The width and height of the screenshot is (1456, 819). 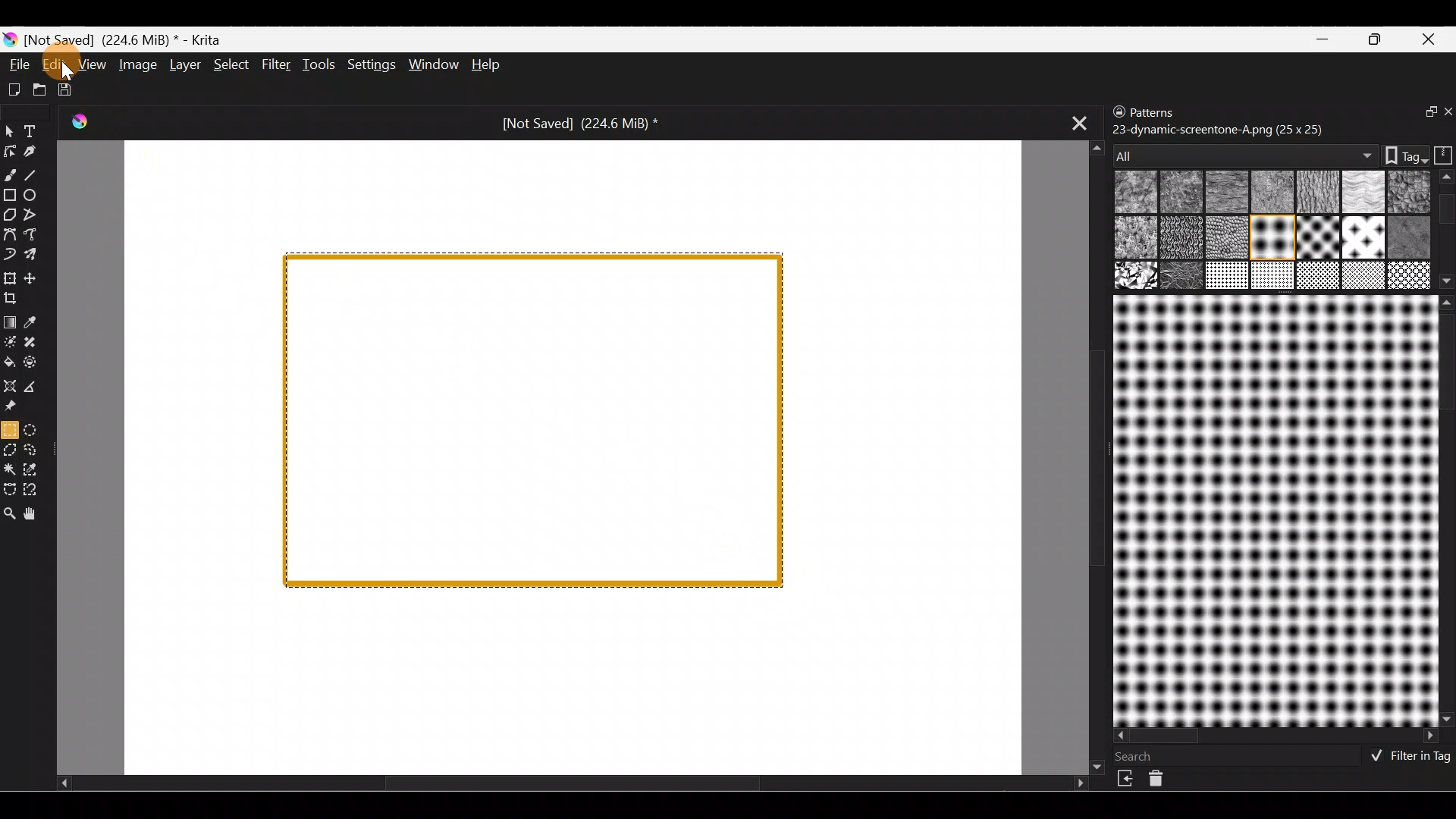 I want to click on 15 texture_rockb.png, so click(x=1183, y=277).